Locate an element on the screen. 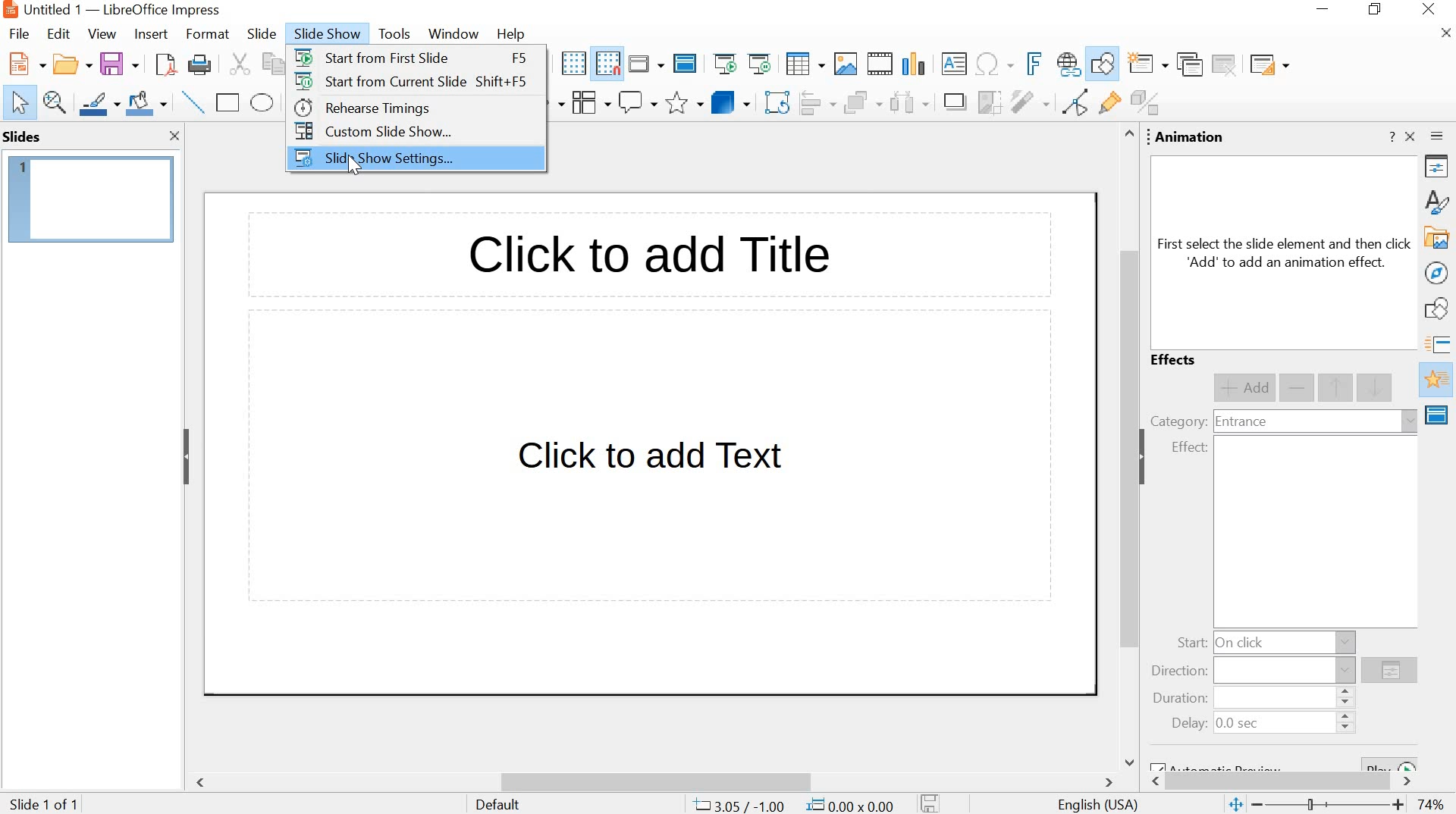 This screenshot has width=1456, height=814. custom slide show is located at coordinates (370, 130).